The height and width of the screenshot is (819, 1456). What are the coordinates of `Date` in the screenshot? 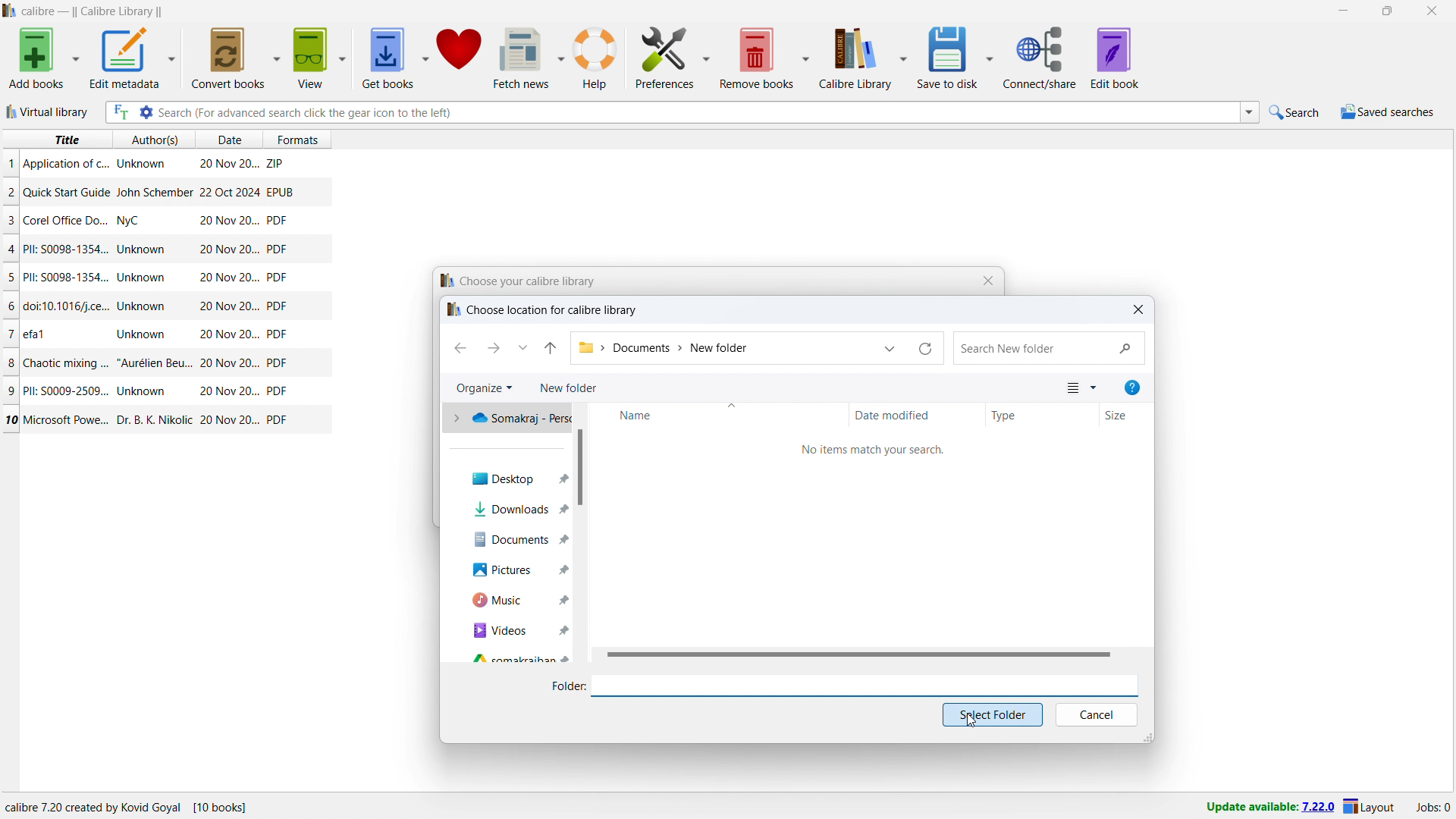 It's located at (227, 335).